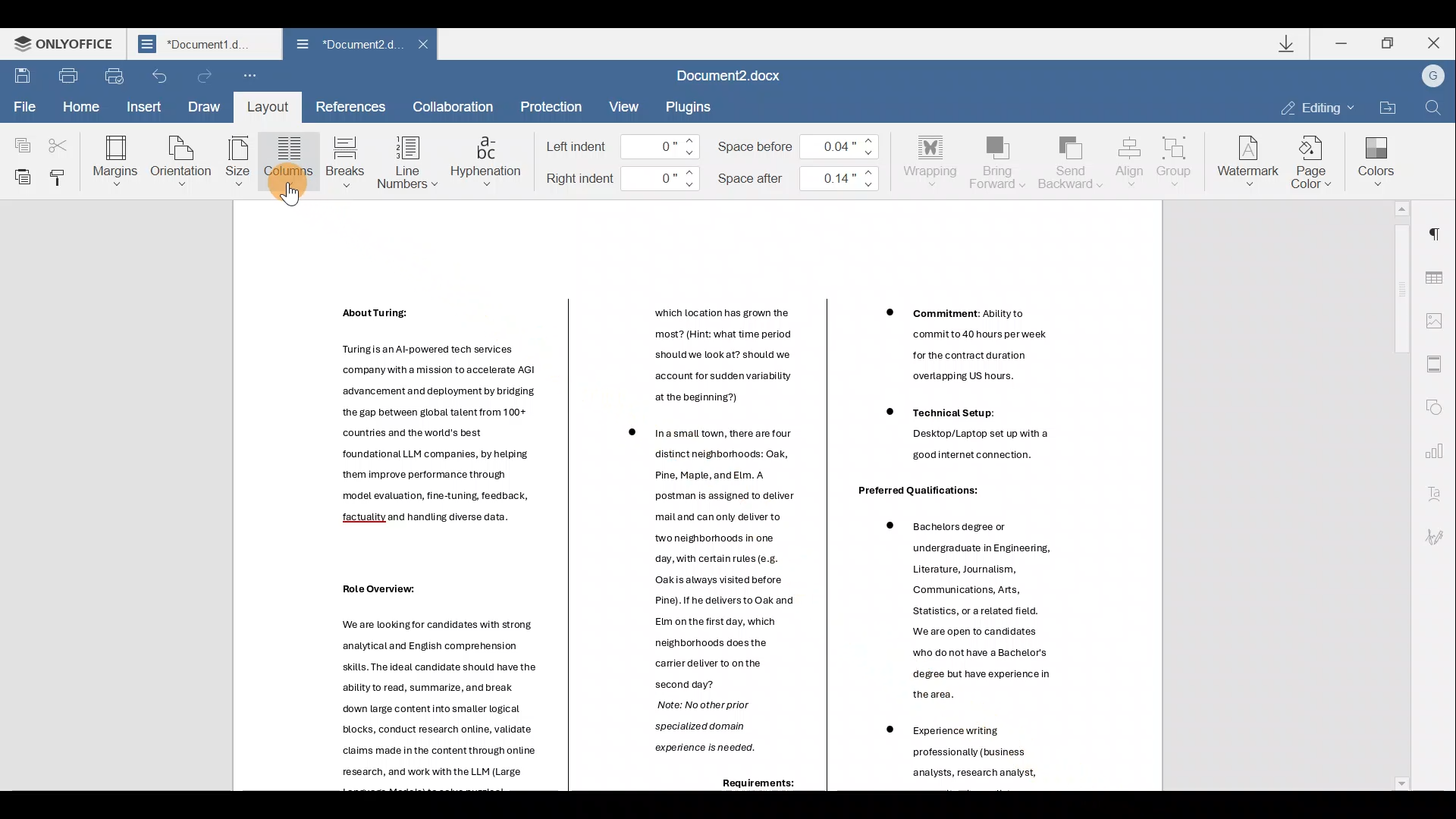  I want to click on Document2.d, so click(347, 48).